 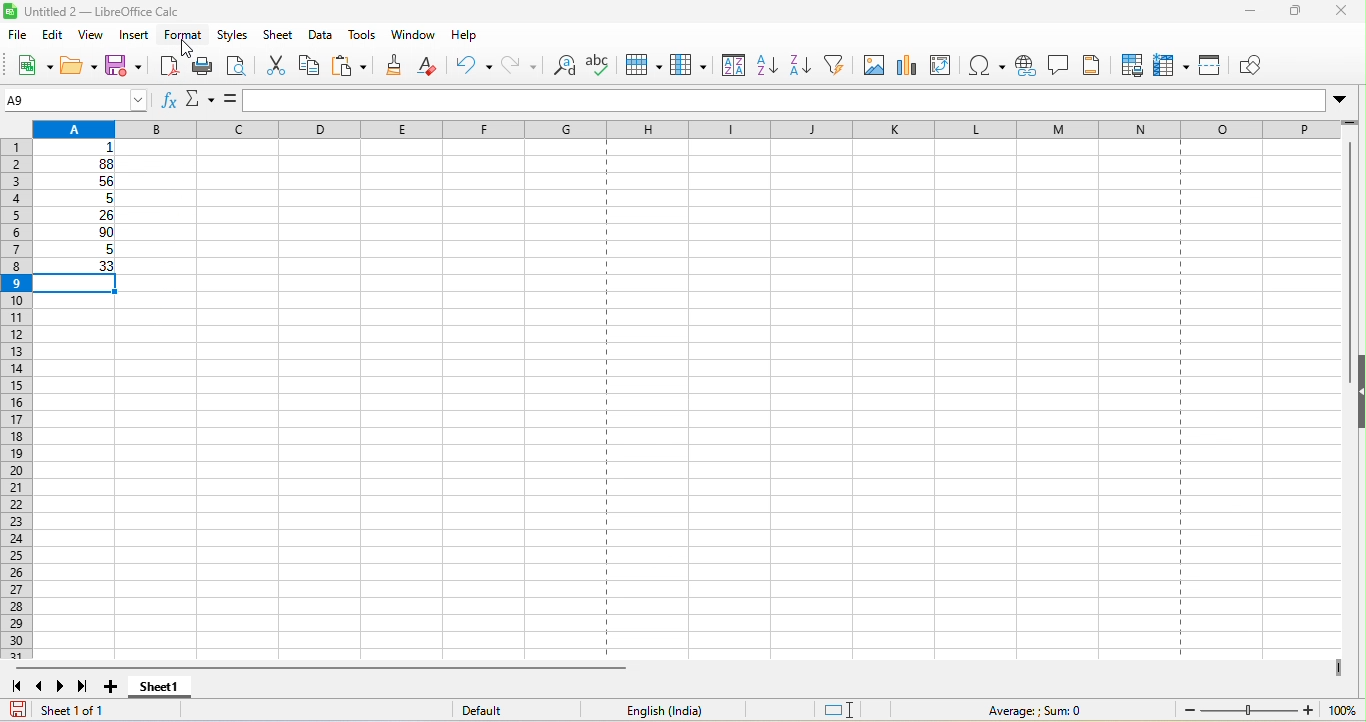 What do you see at coordinates (136, 36) in the screenshot?
I see `insert` at bounding box center [136, 36].